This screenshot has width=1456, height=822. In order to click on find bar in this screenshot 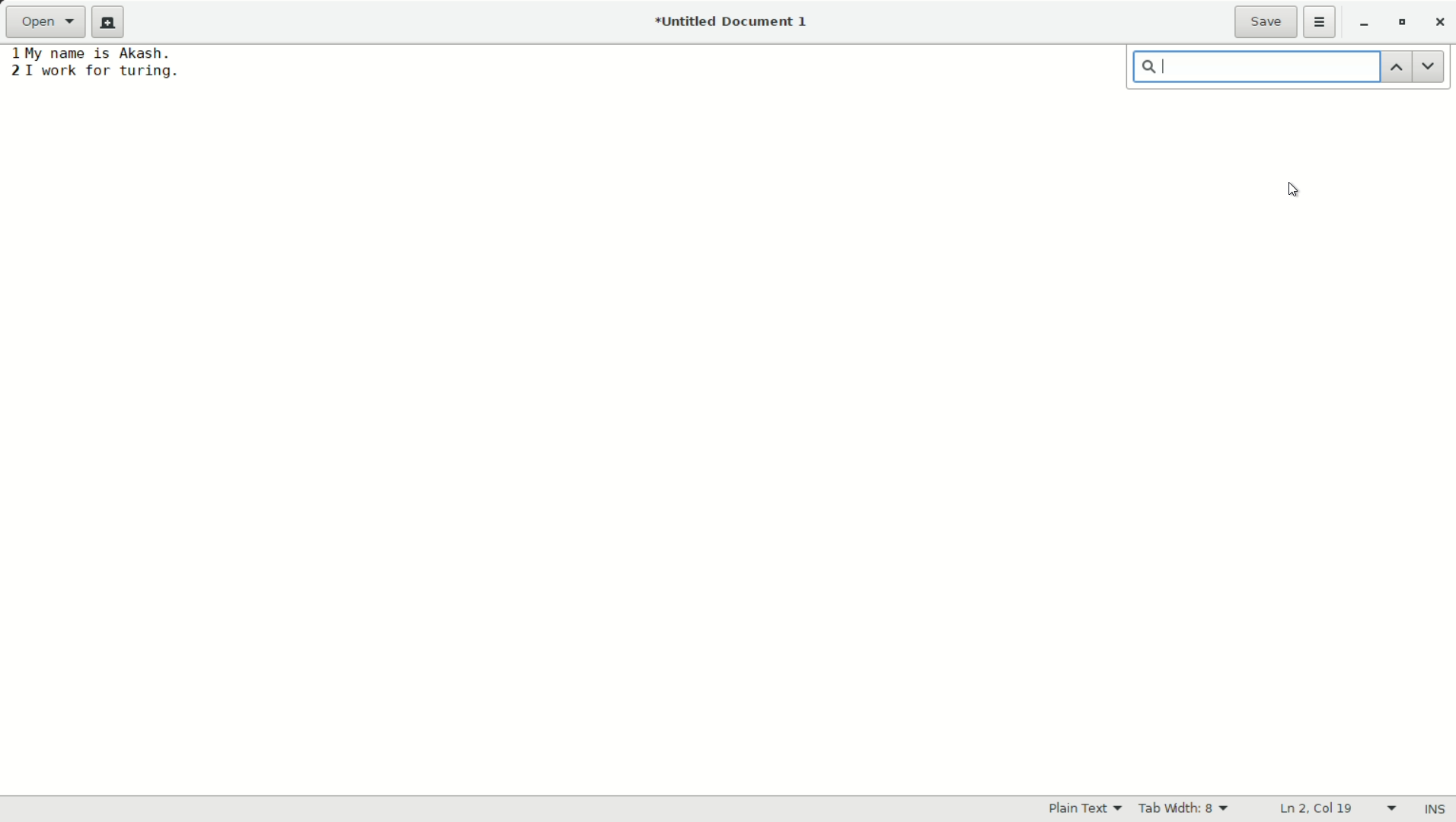, I will do `click(1257, 67)`.